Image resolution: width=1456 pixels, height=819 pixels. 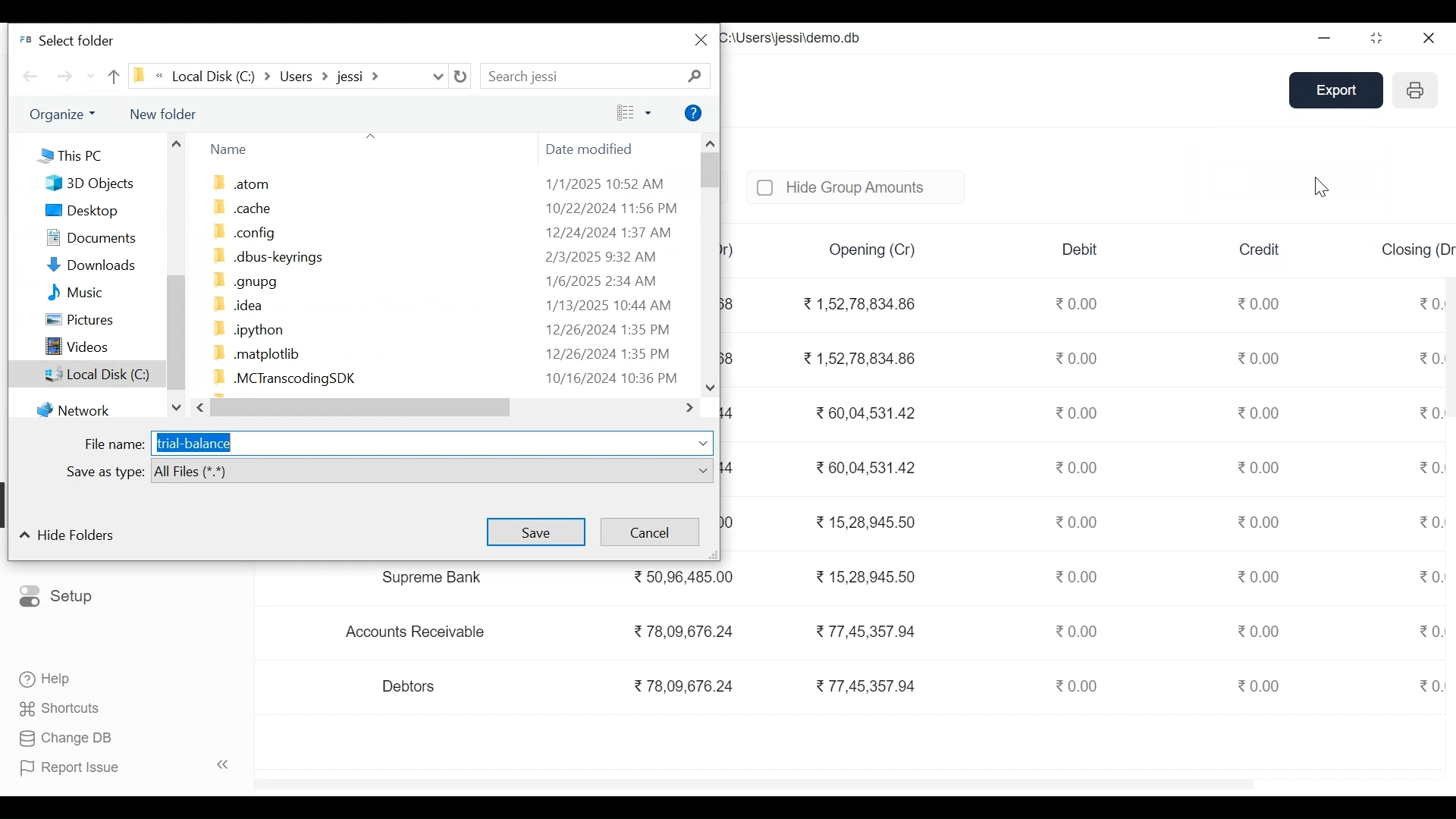 What do you see at coordinates (1429, 578) in the screenshot?
I see `0.00` at bounding box center [1429, 578].